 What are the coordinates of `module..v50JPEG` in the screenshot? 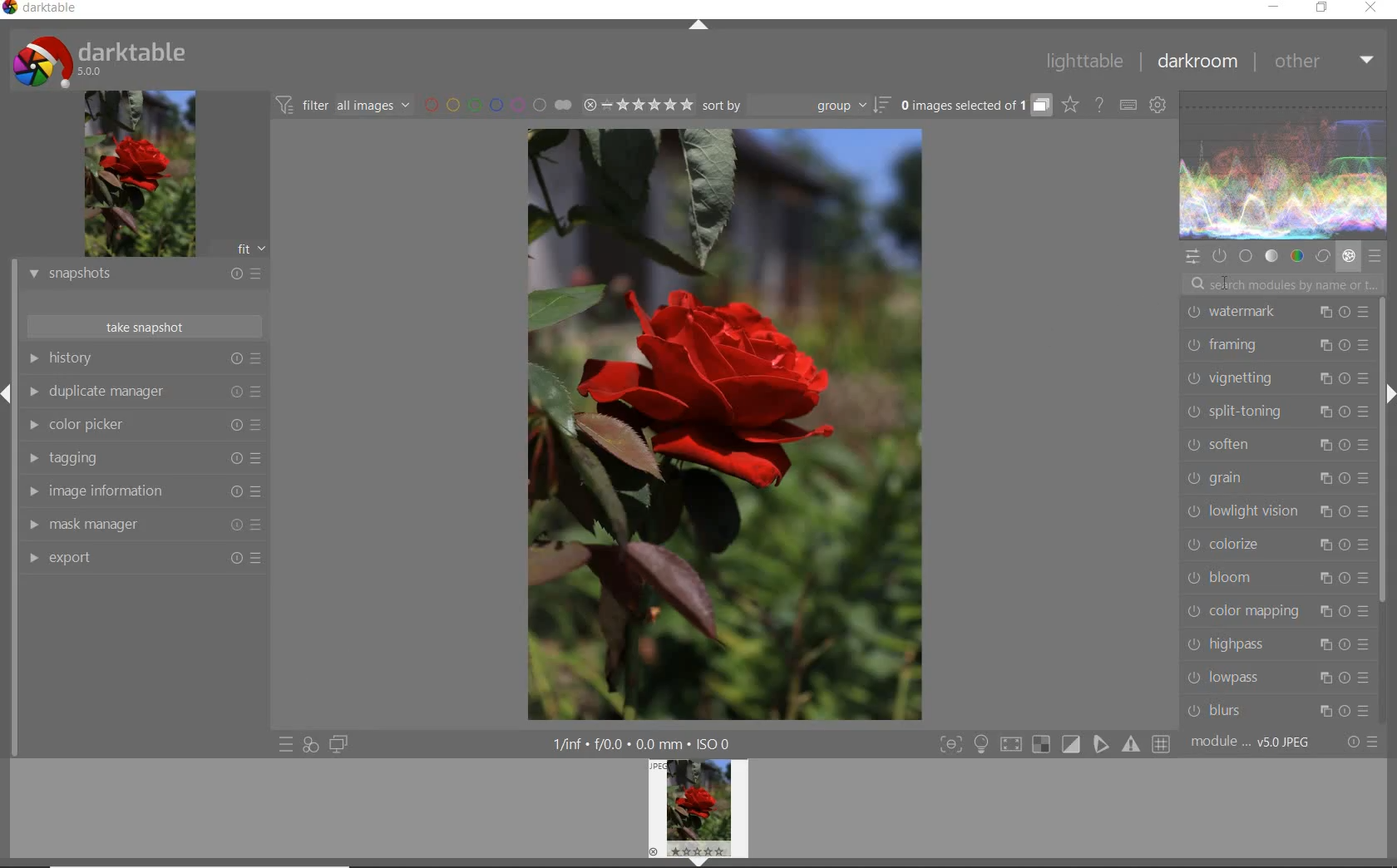 It's located at (1256, 742).